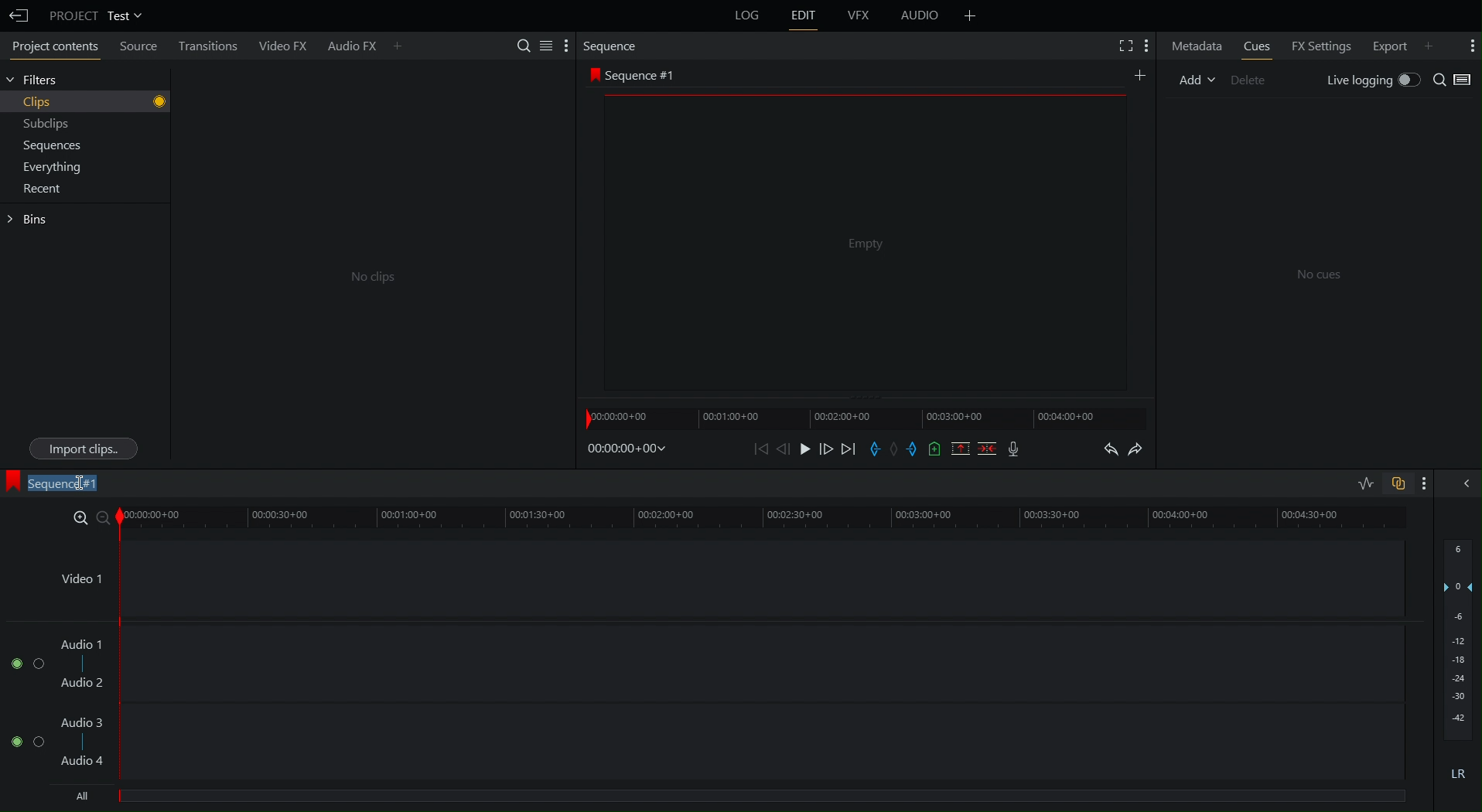 The image size is (1482, 812). I want to click on Search Settings, so click(542, 46).